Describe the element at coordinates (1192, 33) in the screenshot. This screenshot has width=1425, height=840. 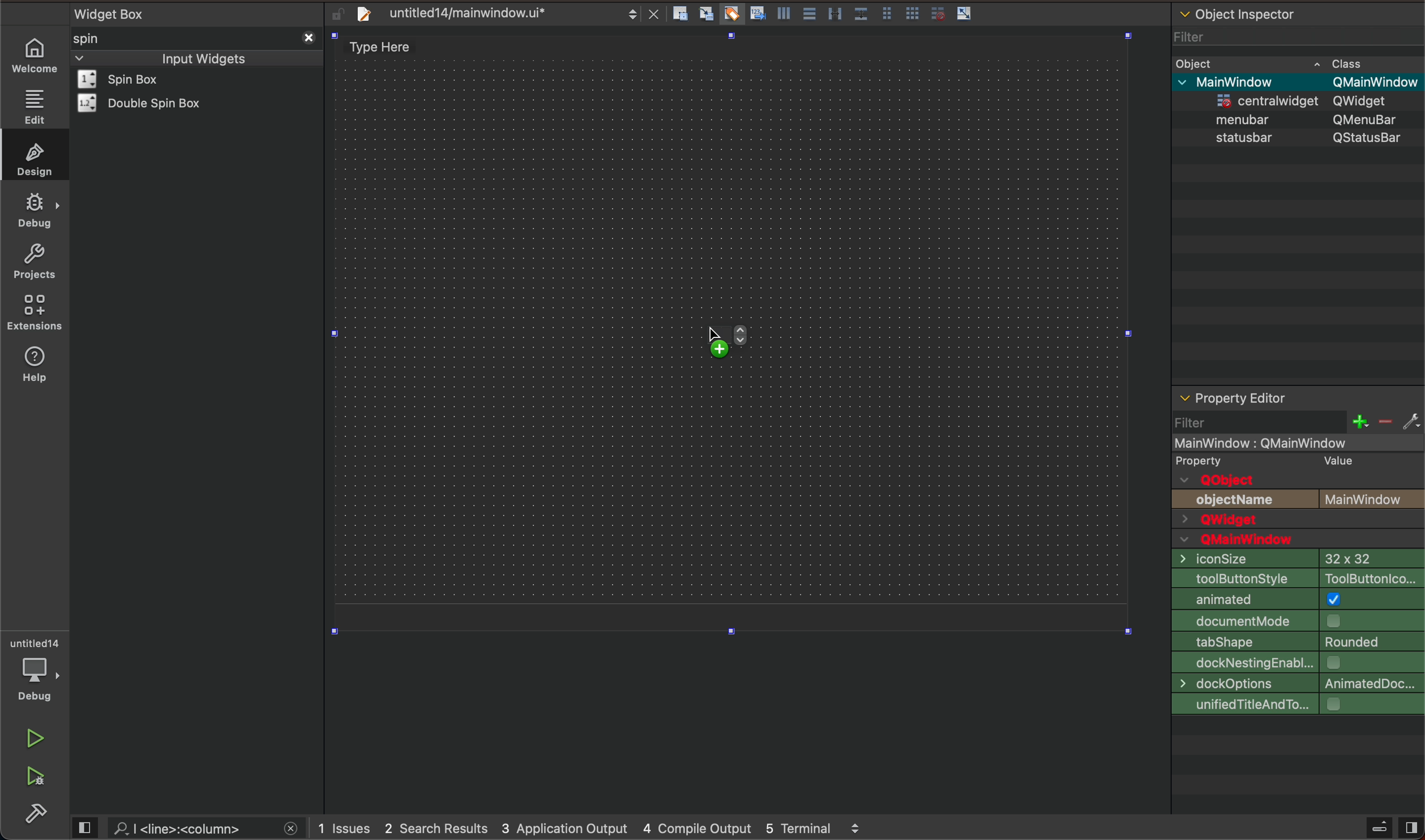
I see `filter` at that location.